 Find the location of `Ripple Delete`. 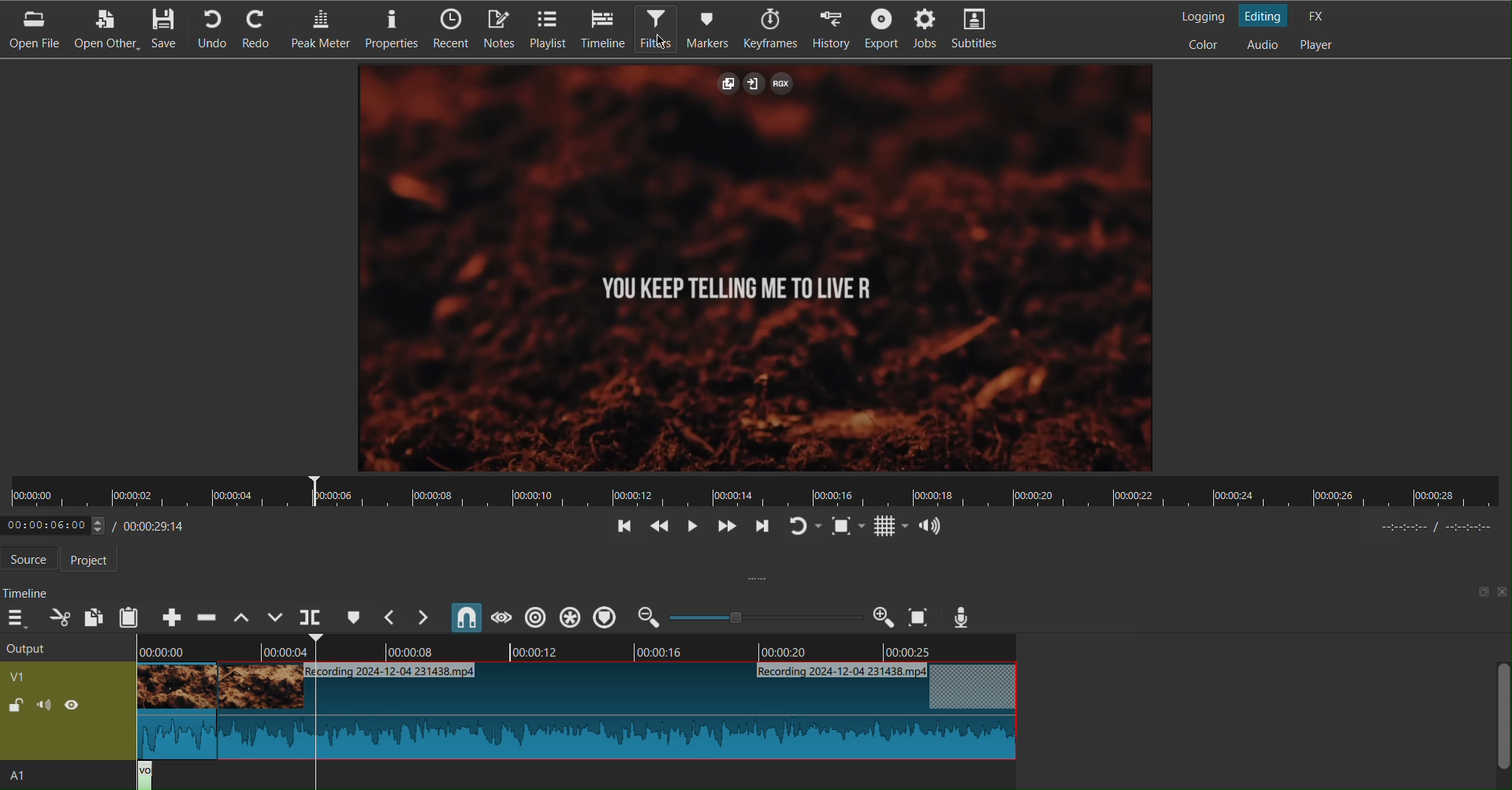

Ripple Delete is located at coordinates (206, 617).